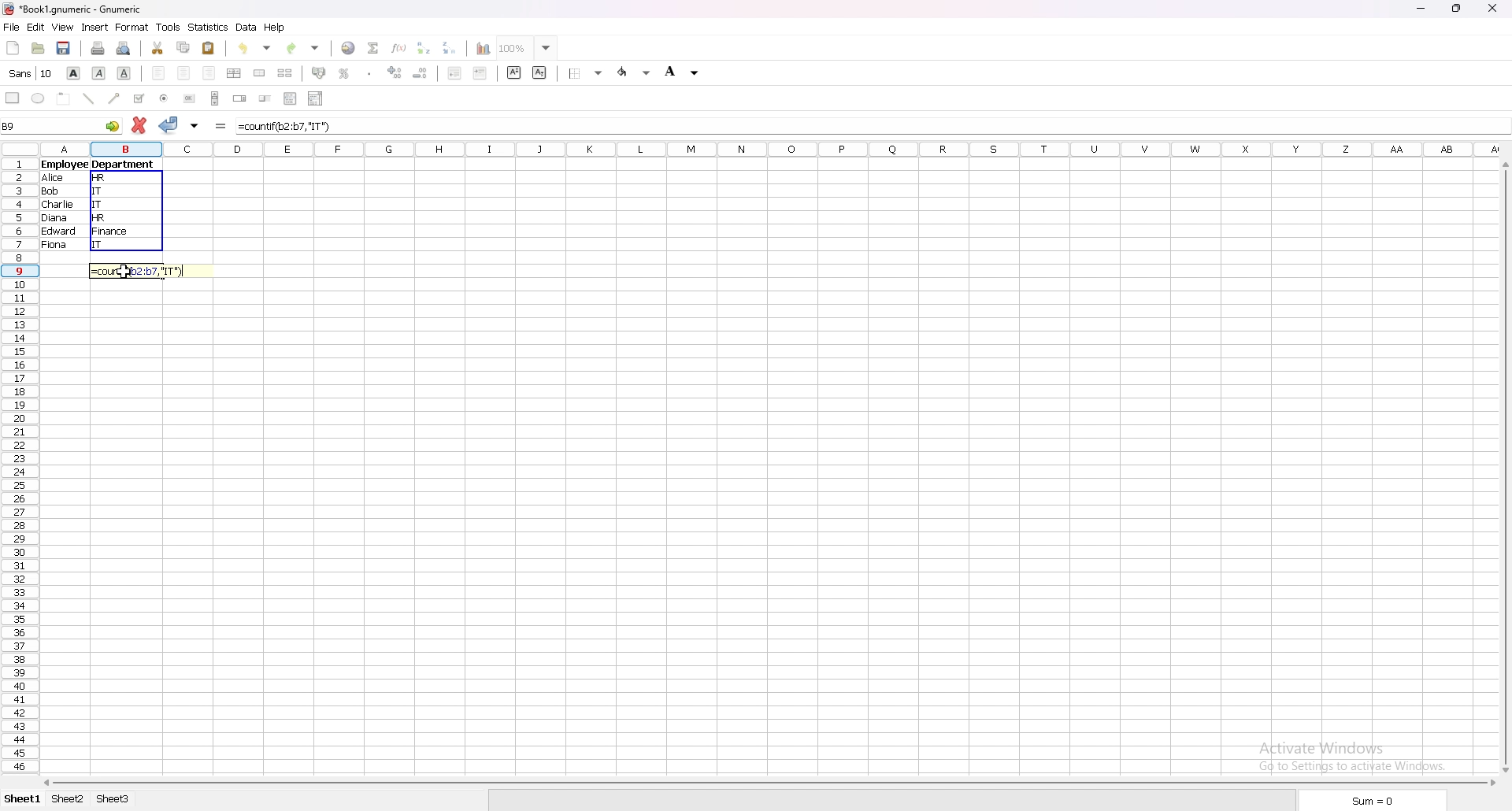 The height and width of the screenshot is (811, 1512). I want to click on save, so click(65, 47).